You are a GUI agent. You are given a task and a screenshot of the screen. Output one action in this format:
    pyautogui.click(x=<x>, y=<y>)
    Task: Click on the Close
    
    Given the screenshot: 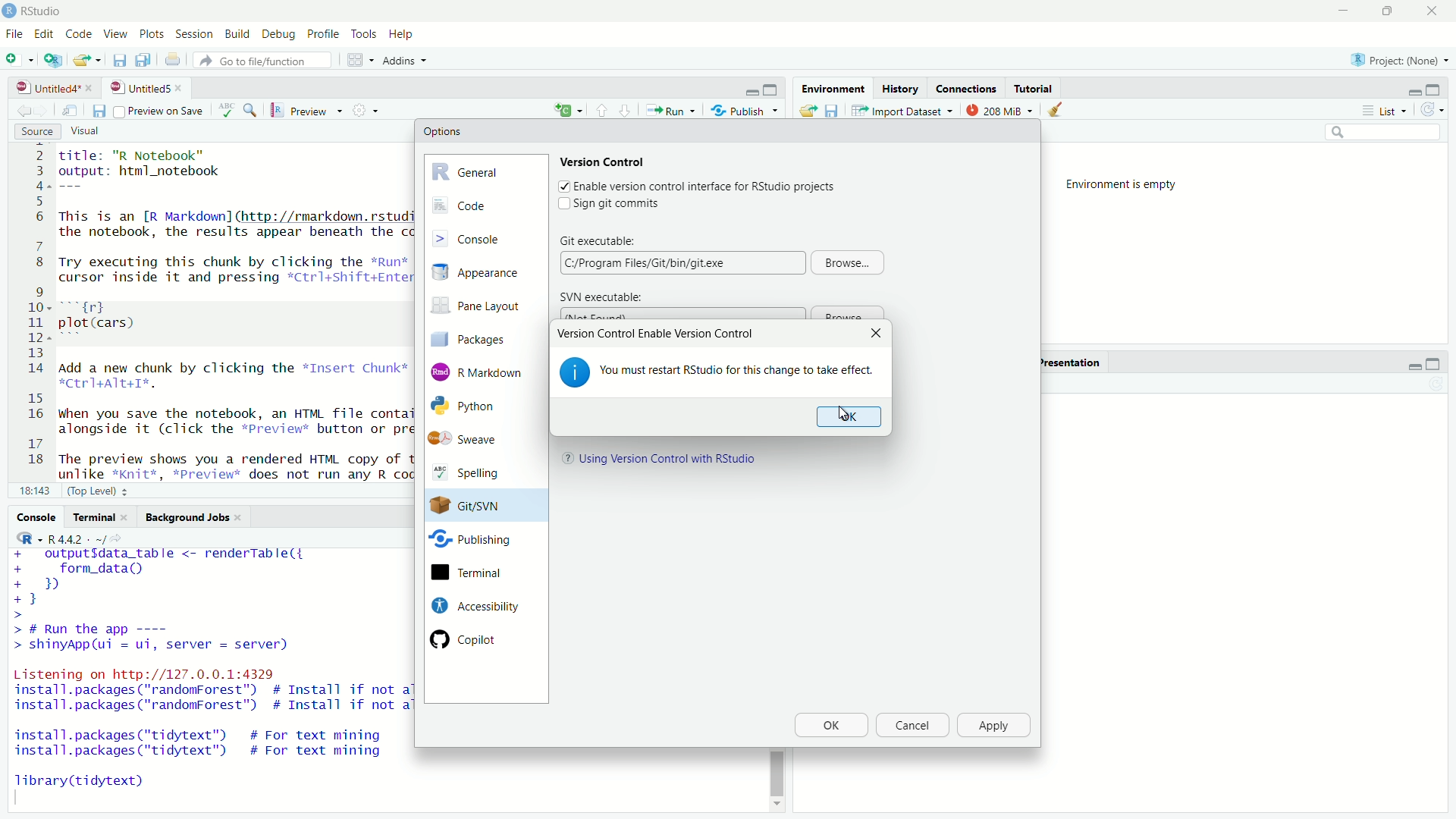 What is the action you would take?
    pyautogui.click(x=874, y=334)
    